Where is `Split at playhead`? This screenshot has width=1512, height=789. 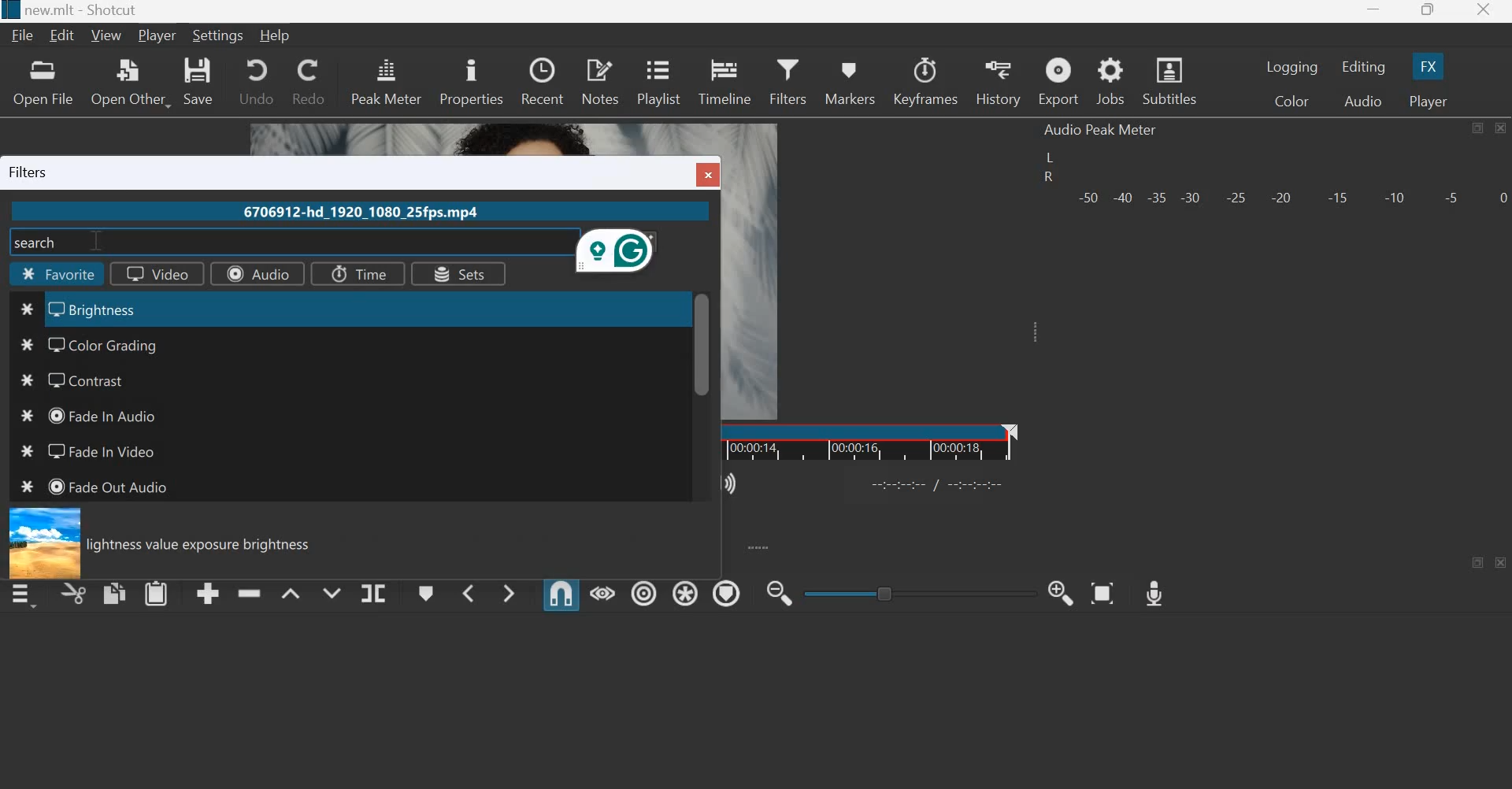 Split at playhead is located at coordinates (372, 594).